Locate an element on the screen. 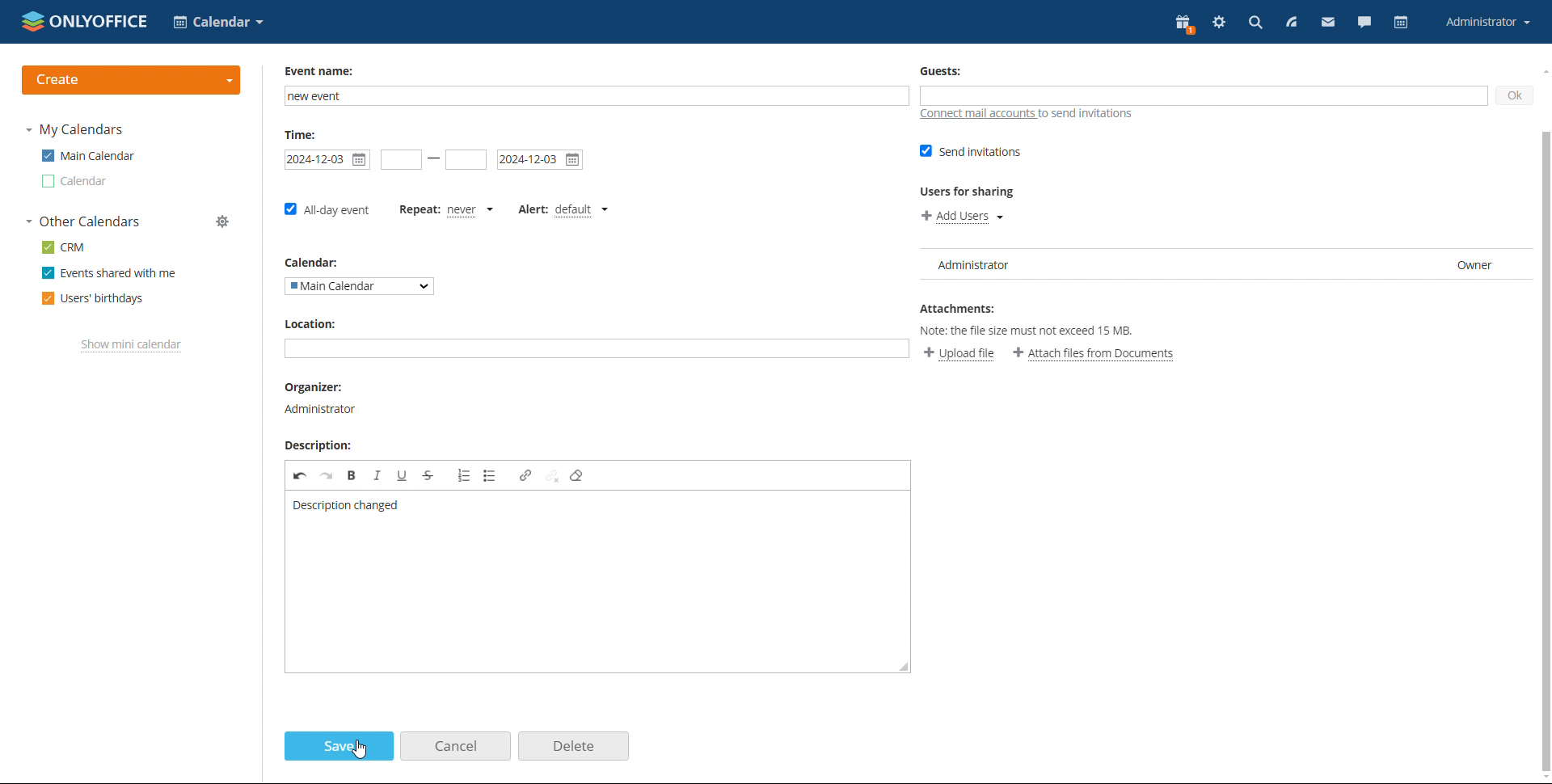 The height and width of the screenshot is (784, 1552). feed is located at coordinates (1289, 23).